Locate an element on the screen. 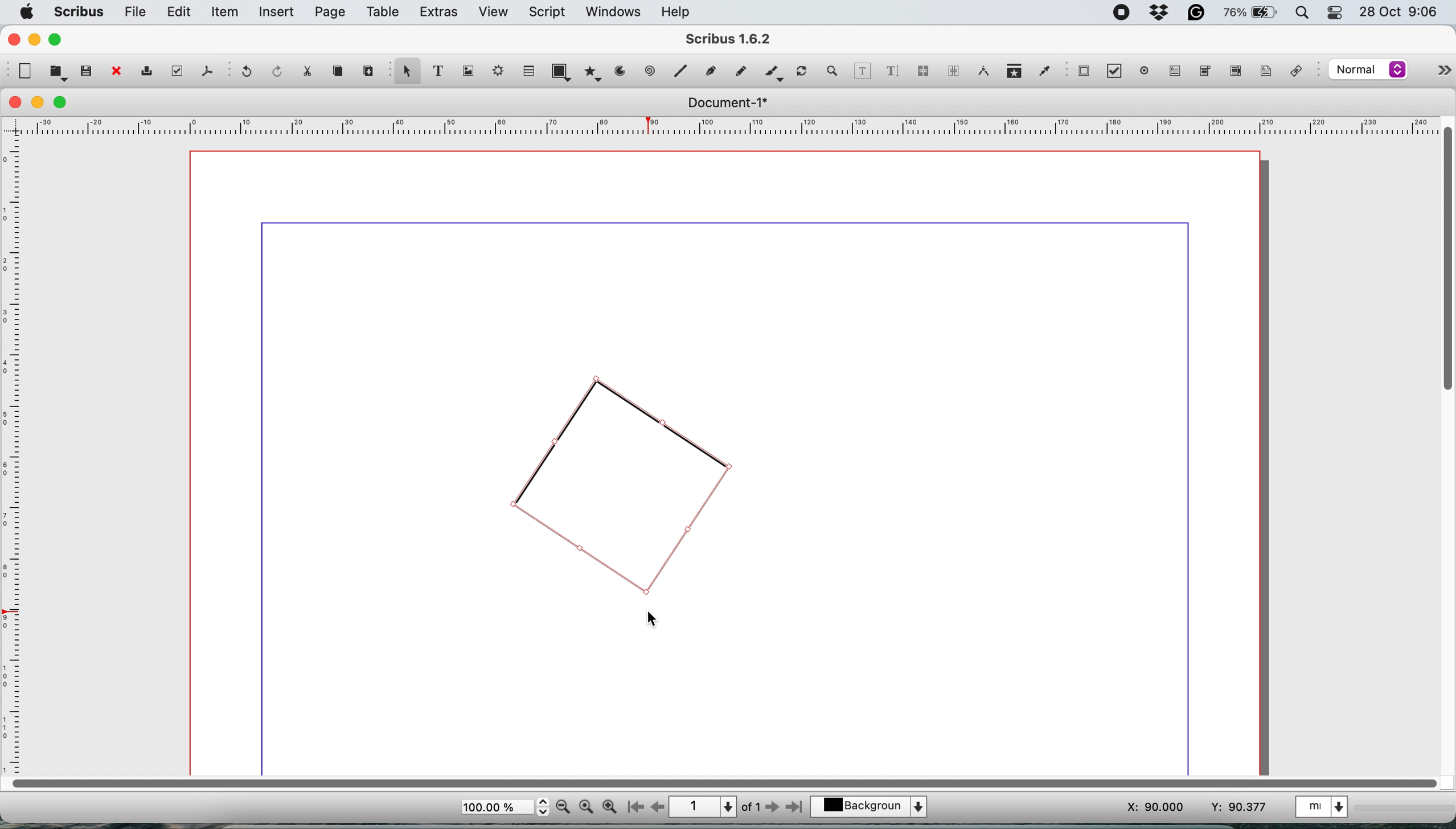  horizontal scale is located at coordinates (720, 125).